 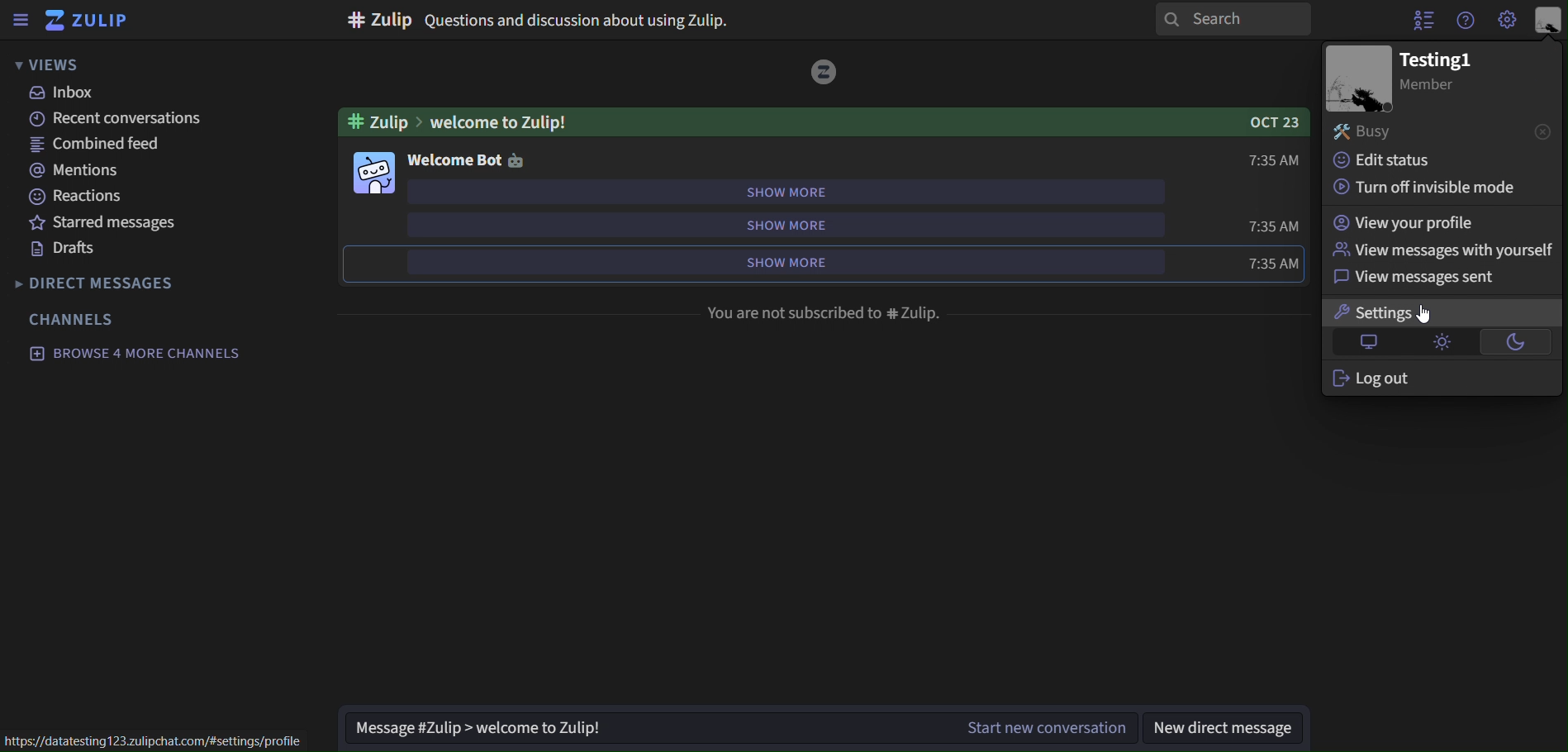 What do you see at coordinates (1443, 378) in the screenshot?
I see `log out` at bounding box center [1443, 378].